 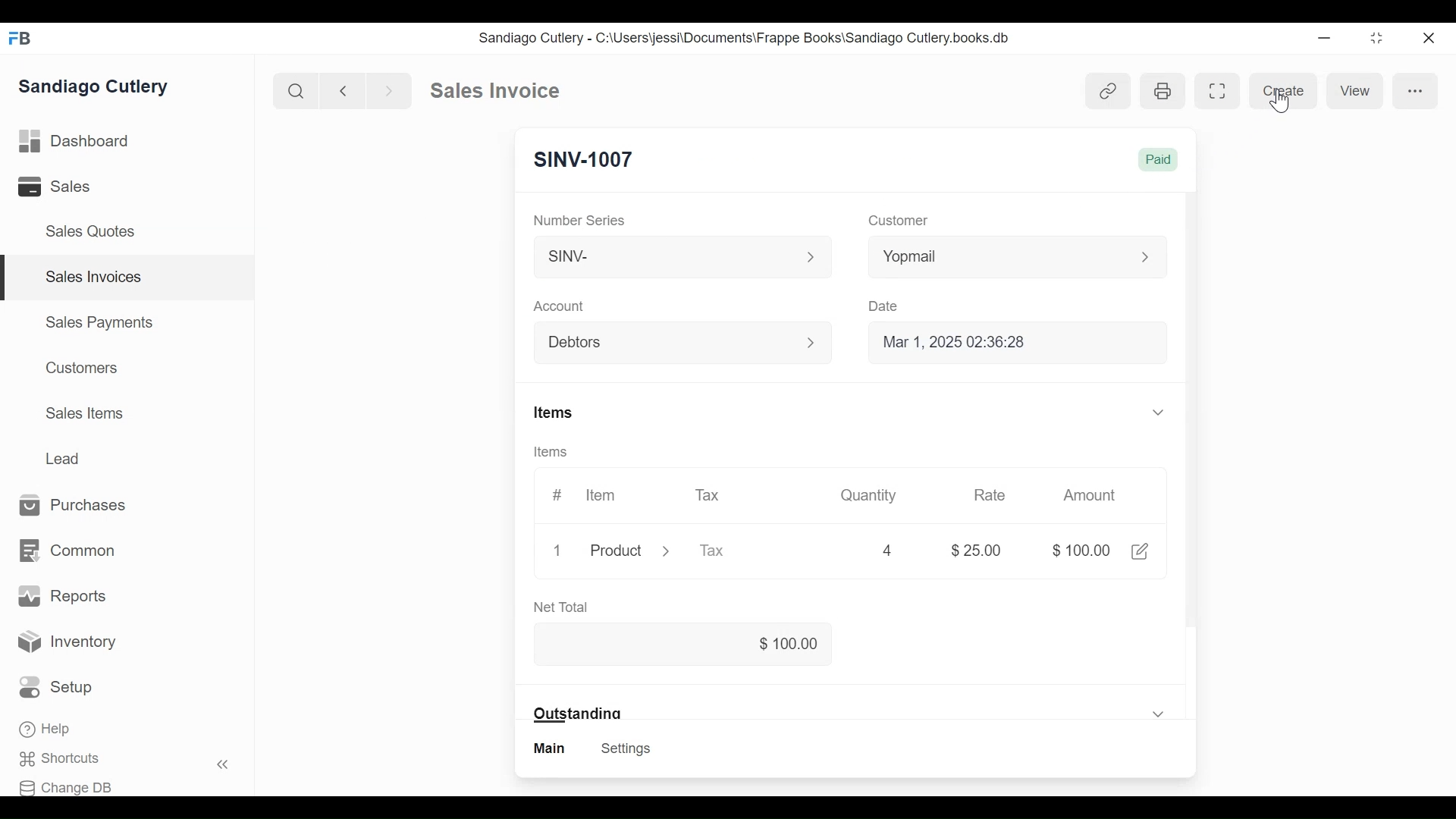 I want to click on Toggle between form and full width, so click(x=1377, y=39).